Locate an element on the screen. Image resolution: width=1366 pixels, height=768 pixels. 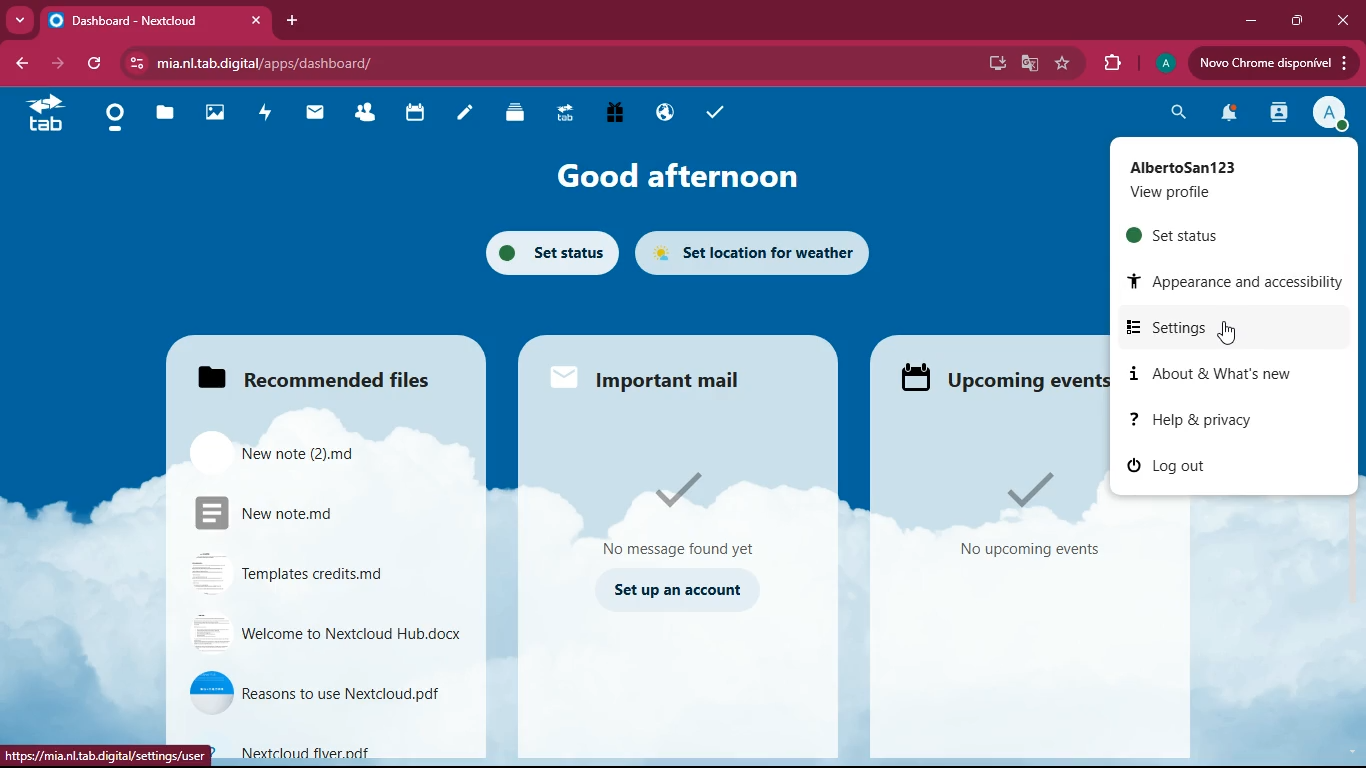
activity is located at coordinates (262, 115).